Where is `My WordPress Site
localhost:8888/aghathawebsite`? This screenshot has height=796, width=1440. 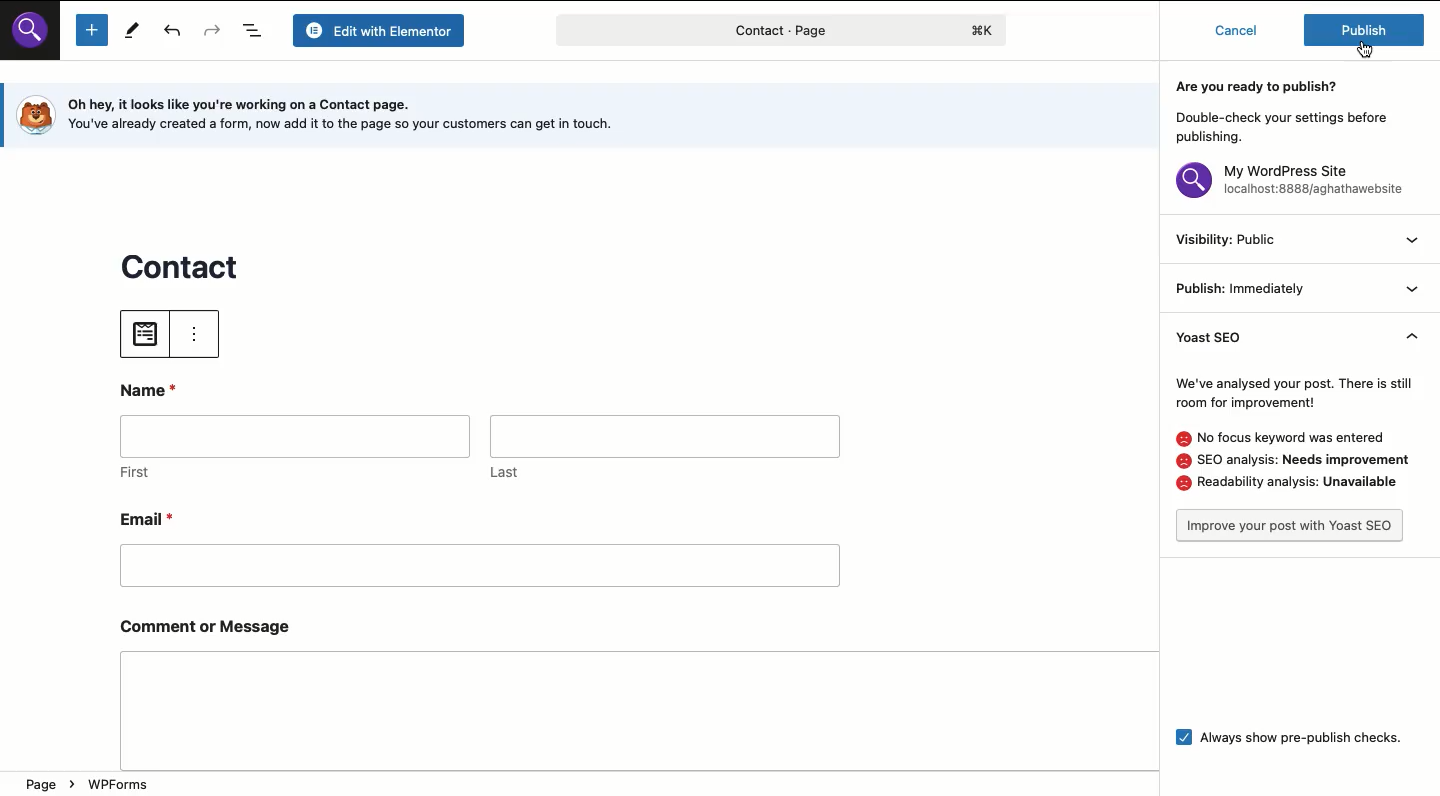 My WordPress Site
localhost:8888/aghathawebsite is located at coordinates (1294, 184).